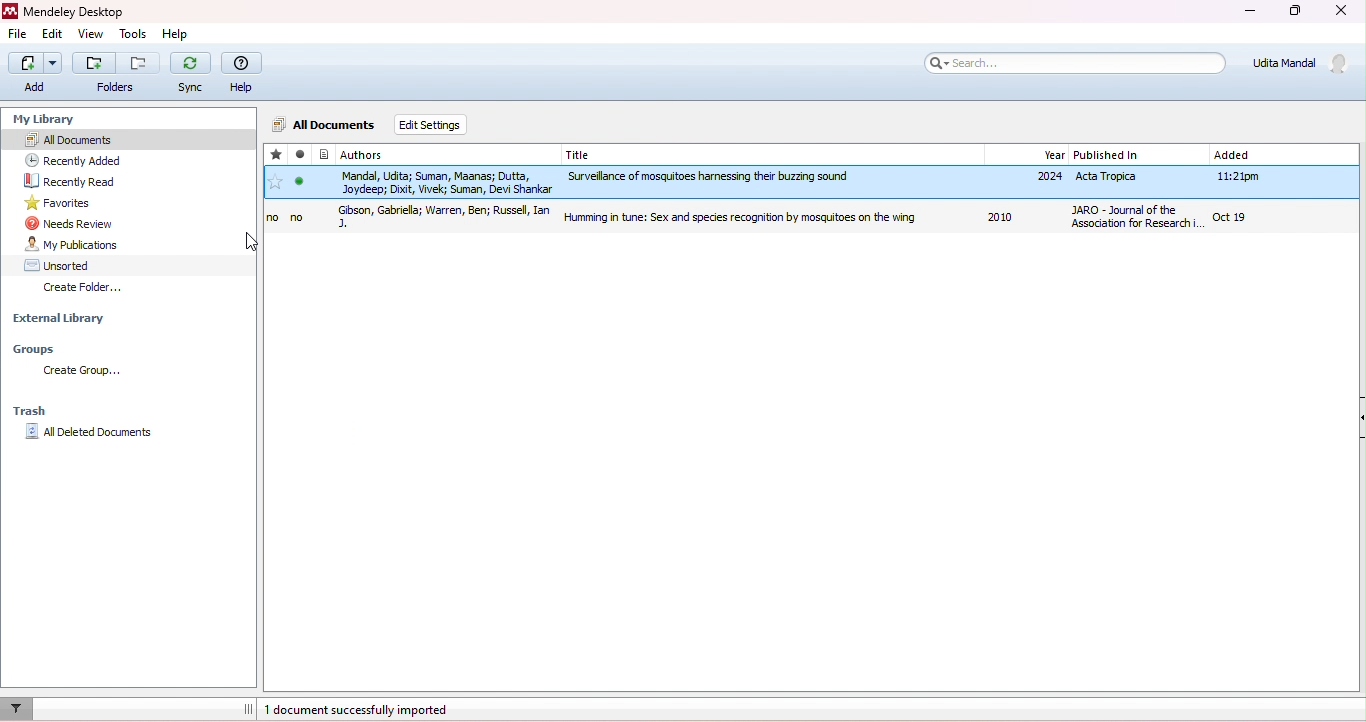 This screenshot has width=1366, height=722. Describe the element at coordinates (446, 182) in the screenshot. I see `Mandal, Udita; Suman, Manas; Dutta,
Joydeep; Dixit, Vivek; Suman, Devi Shankar` at that location.